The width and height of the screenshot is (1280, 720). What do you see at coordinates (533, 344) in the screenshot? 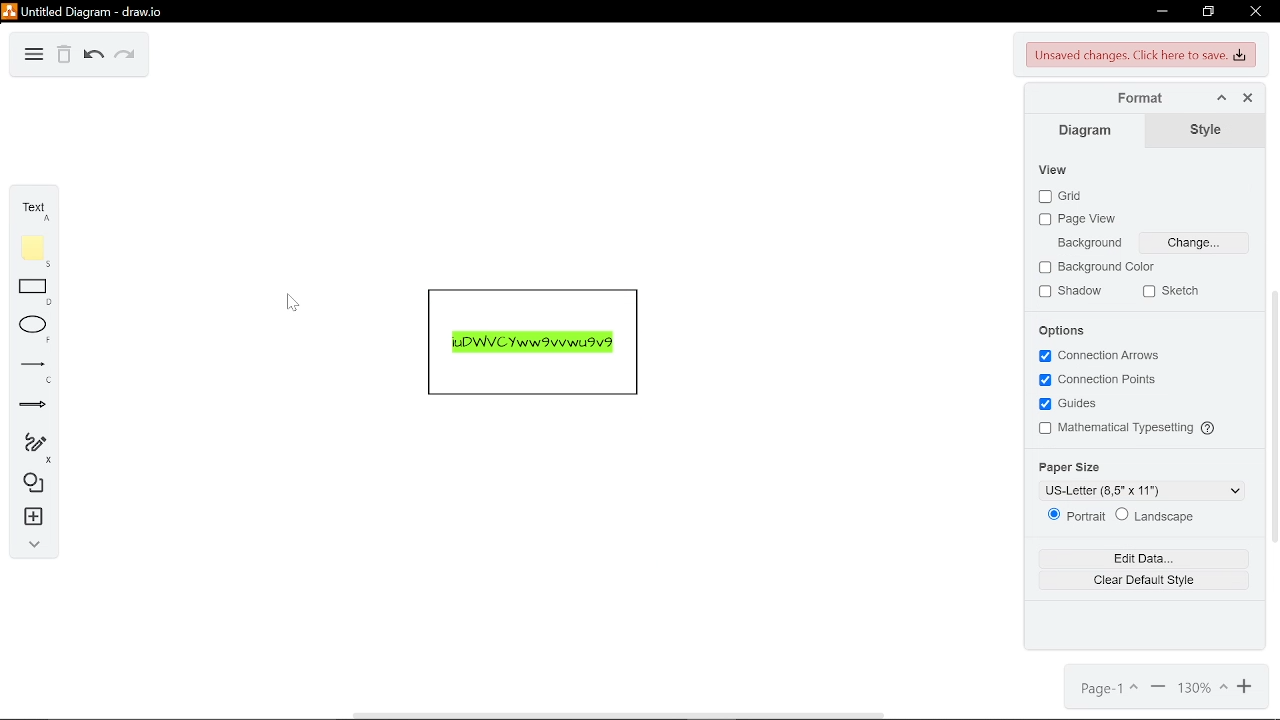
I see `iuDWVCYww9vvwu9v9` at bounding box center [533, 344].